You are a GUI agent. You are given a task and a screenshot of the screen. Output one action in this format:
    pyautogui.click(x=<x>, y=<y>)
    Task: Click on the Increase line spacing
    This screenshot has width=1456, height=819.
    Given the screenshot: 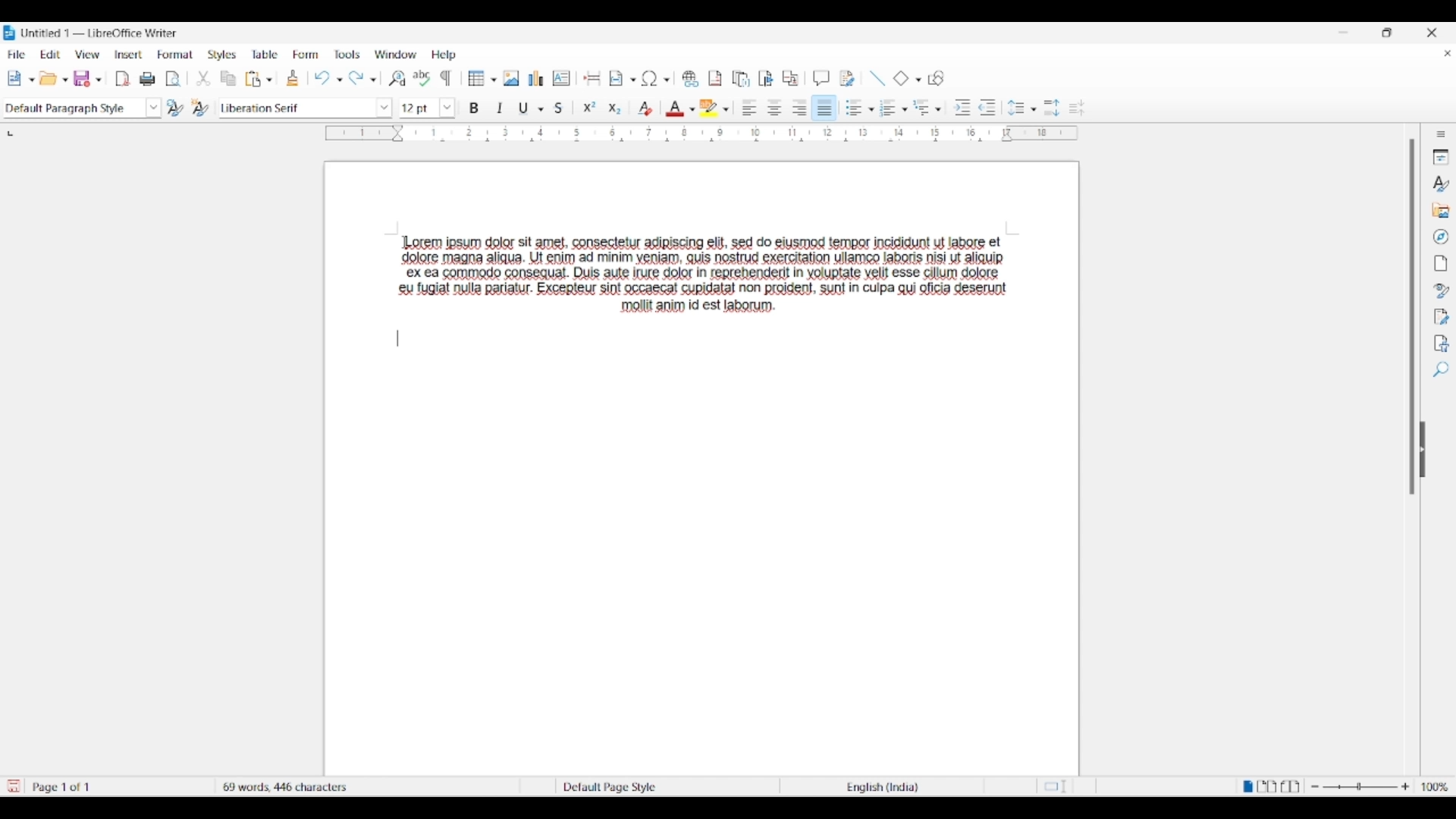 What is the action you would take?
    pyautogui.click(x=1052, y=108)
    